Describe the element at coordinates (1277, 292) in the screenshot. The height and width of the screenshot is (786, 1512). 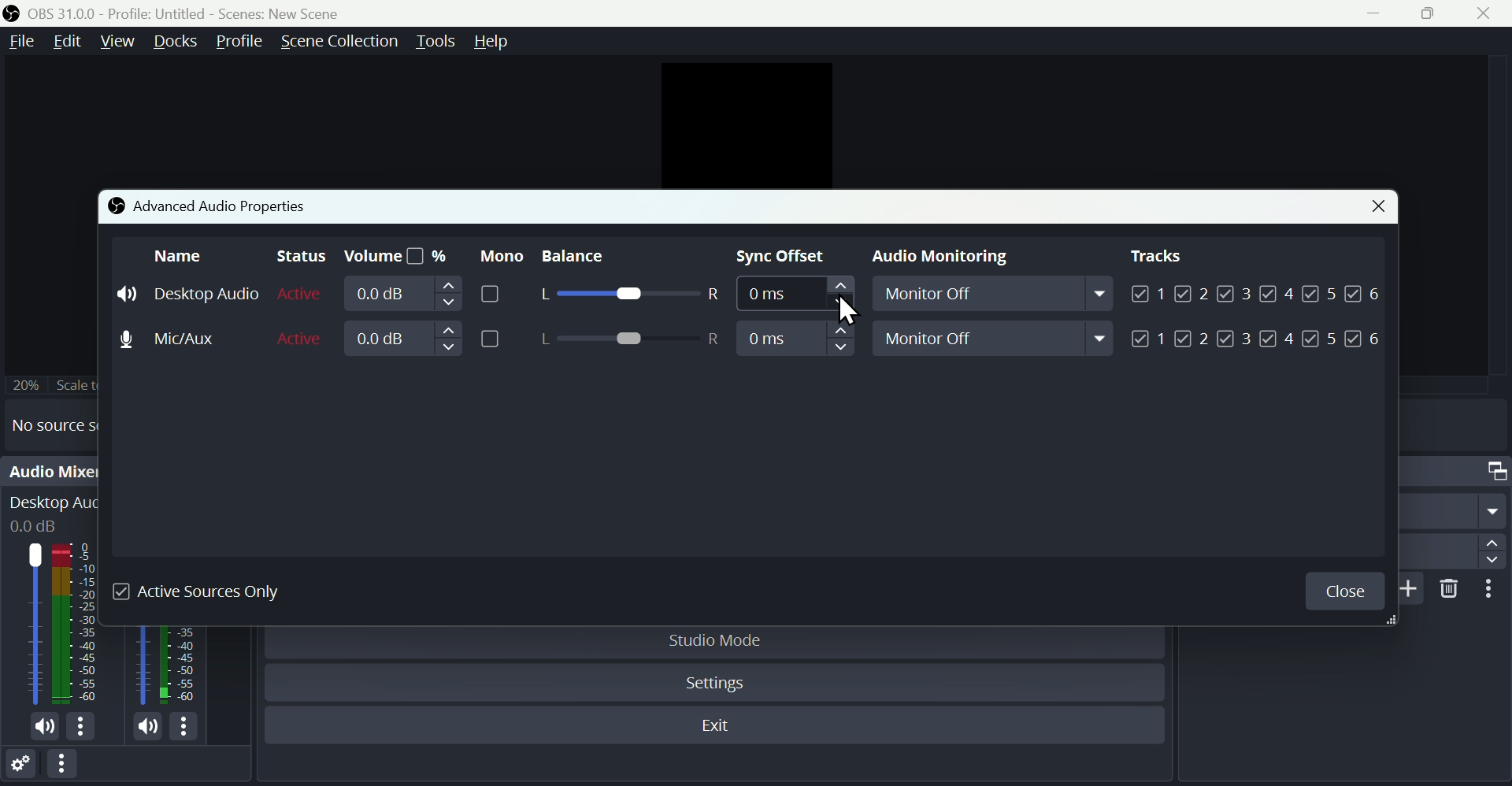
I see `(un)check Track 4` at that location.